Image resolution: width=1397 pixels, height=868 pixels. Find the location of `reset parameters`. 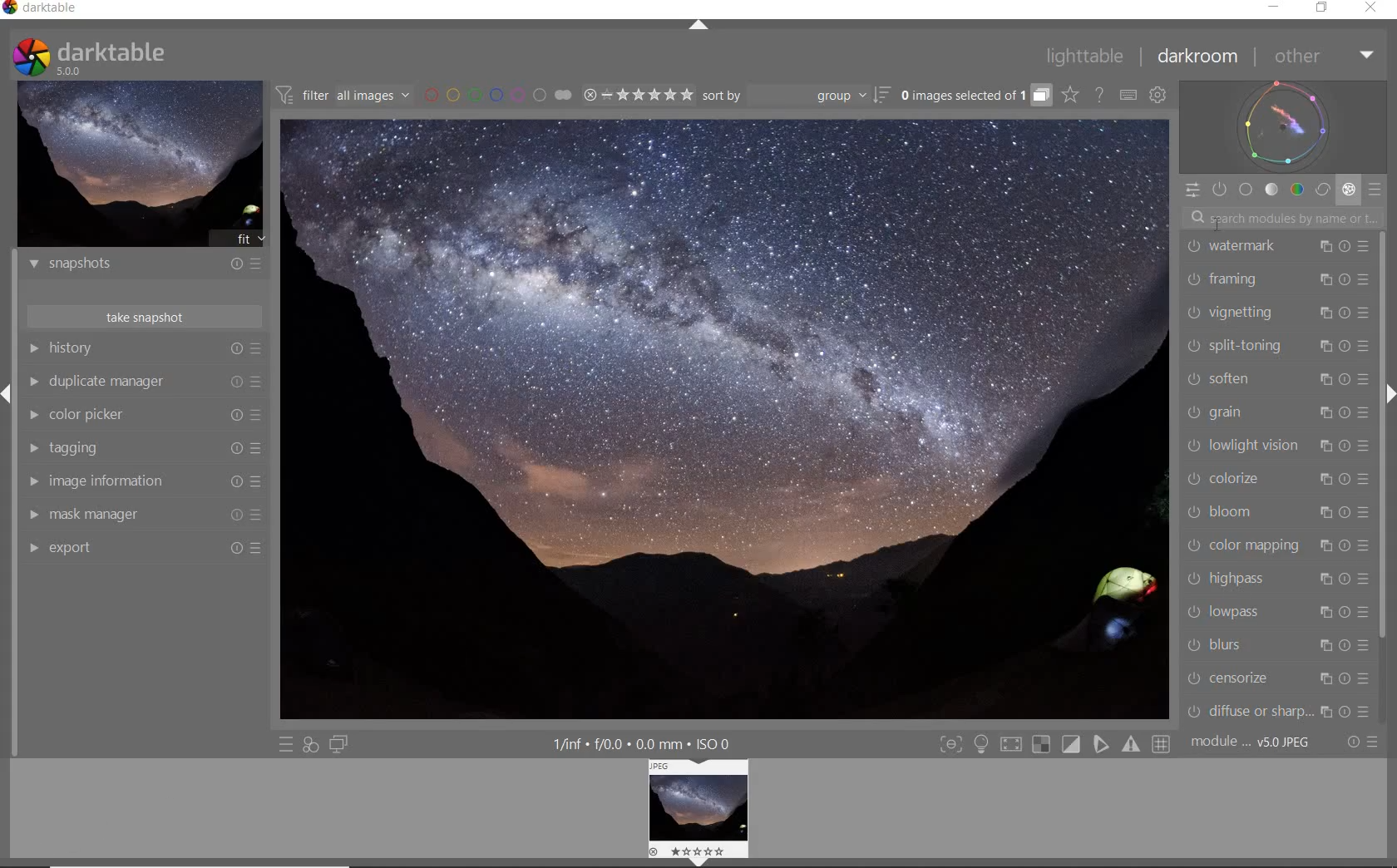

reset parameters is located at coordinates (1349, 245).